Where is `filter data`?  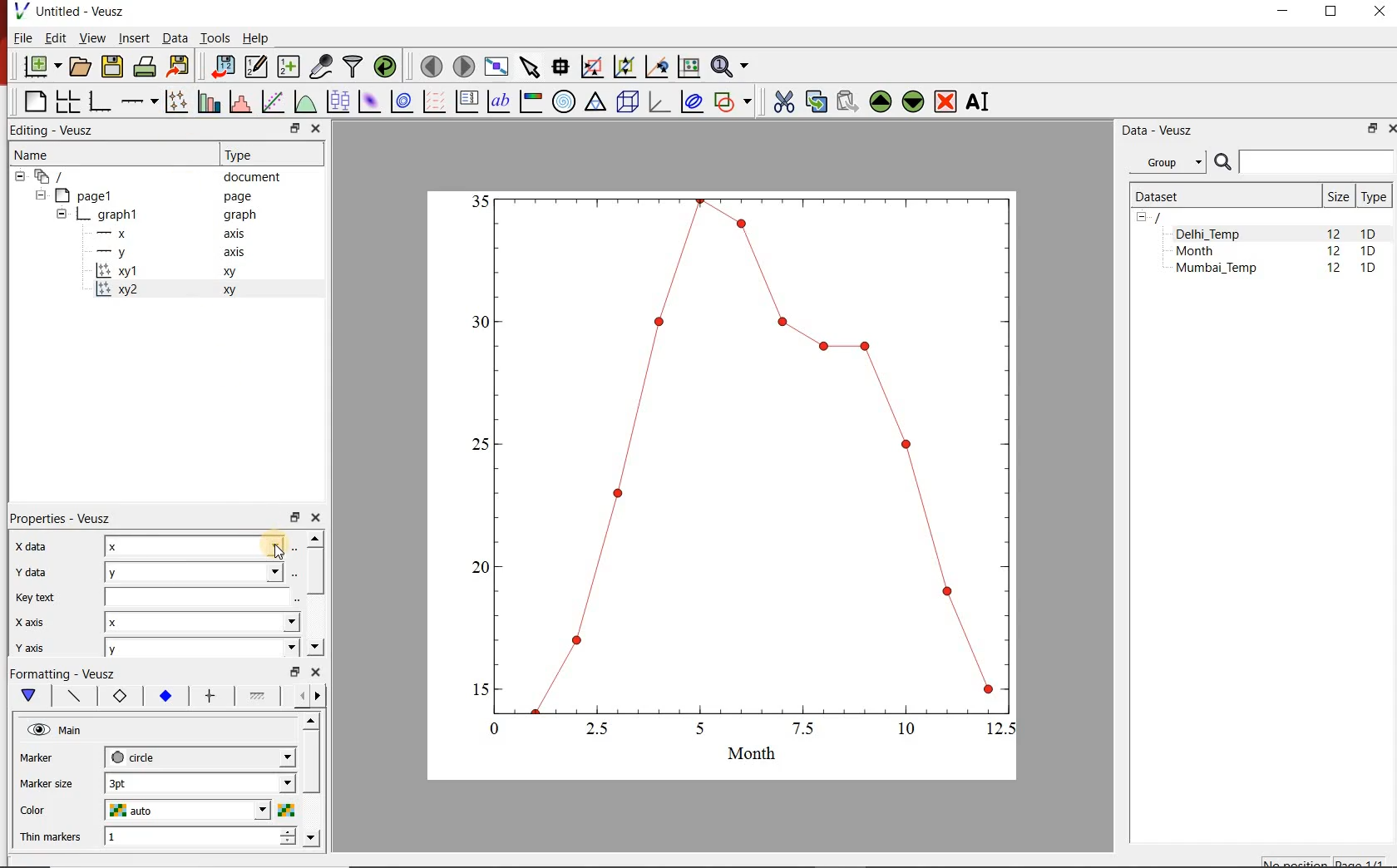 filter data is located at coordinates (353, 67).